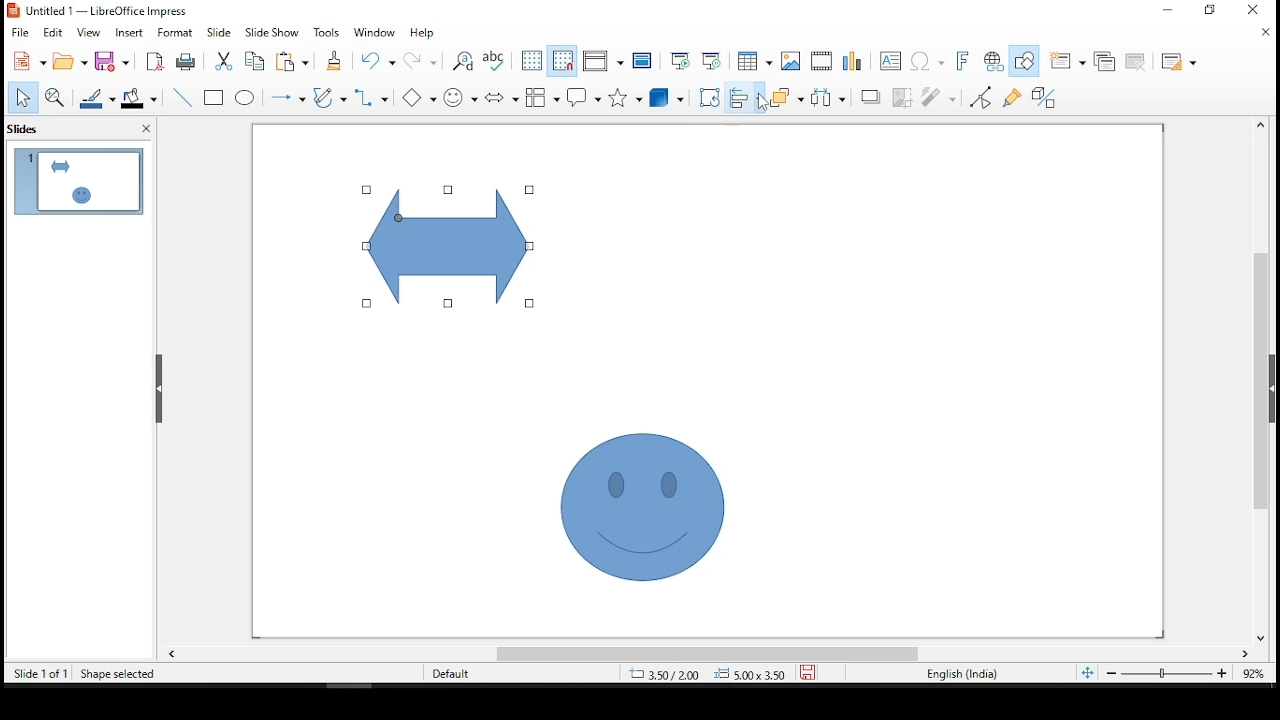 The height and width of the screenshot is (720, 1280). Describe the element at coordinates (1257, 9) in the screenshot. I see `close window` at that location.